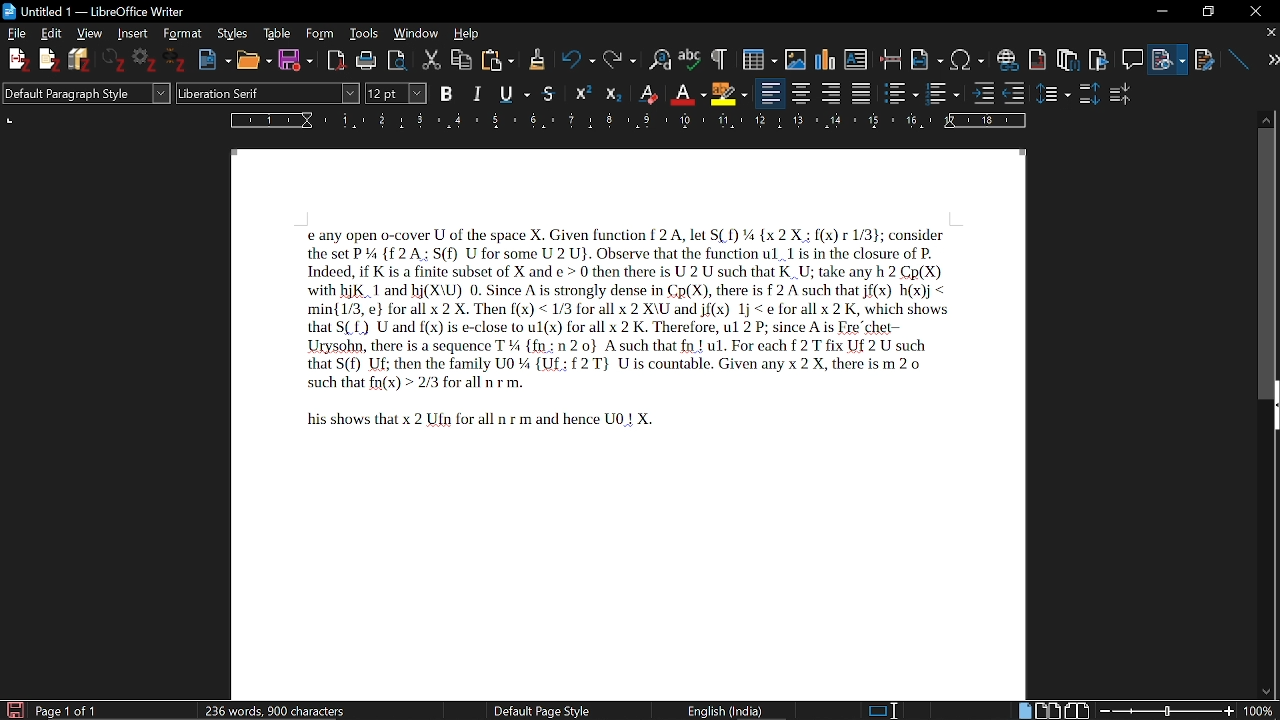  I want to click on Spell check, so click(690, 57).